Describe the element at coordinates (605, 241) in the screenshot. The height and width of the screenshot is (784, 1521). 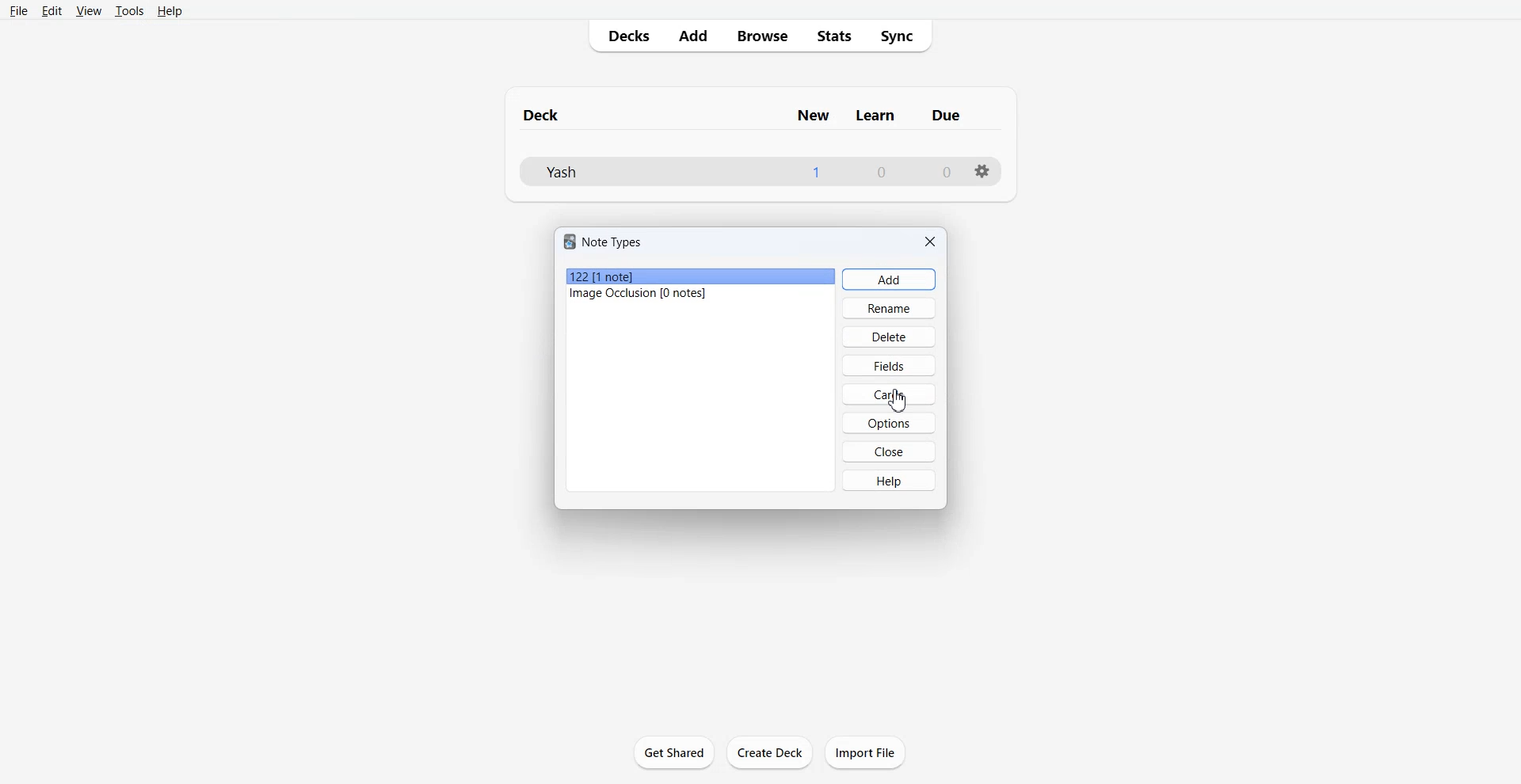
I see `Text` at that location.